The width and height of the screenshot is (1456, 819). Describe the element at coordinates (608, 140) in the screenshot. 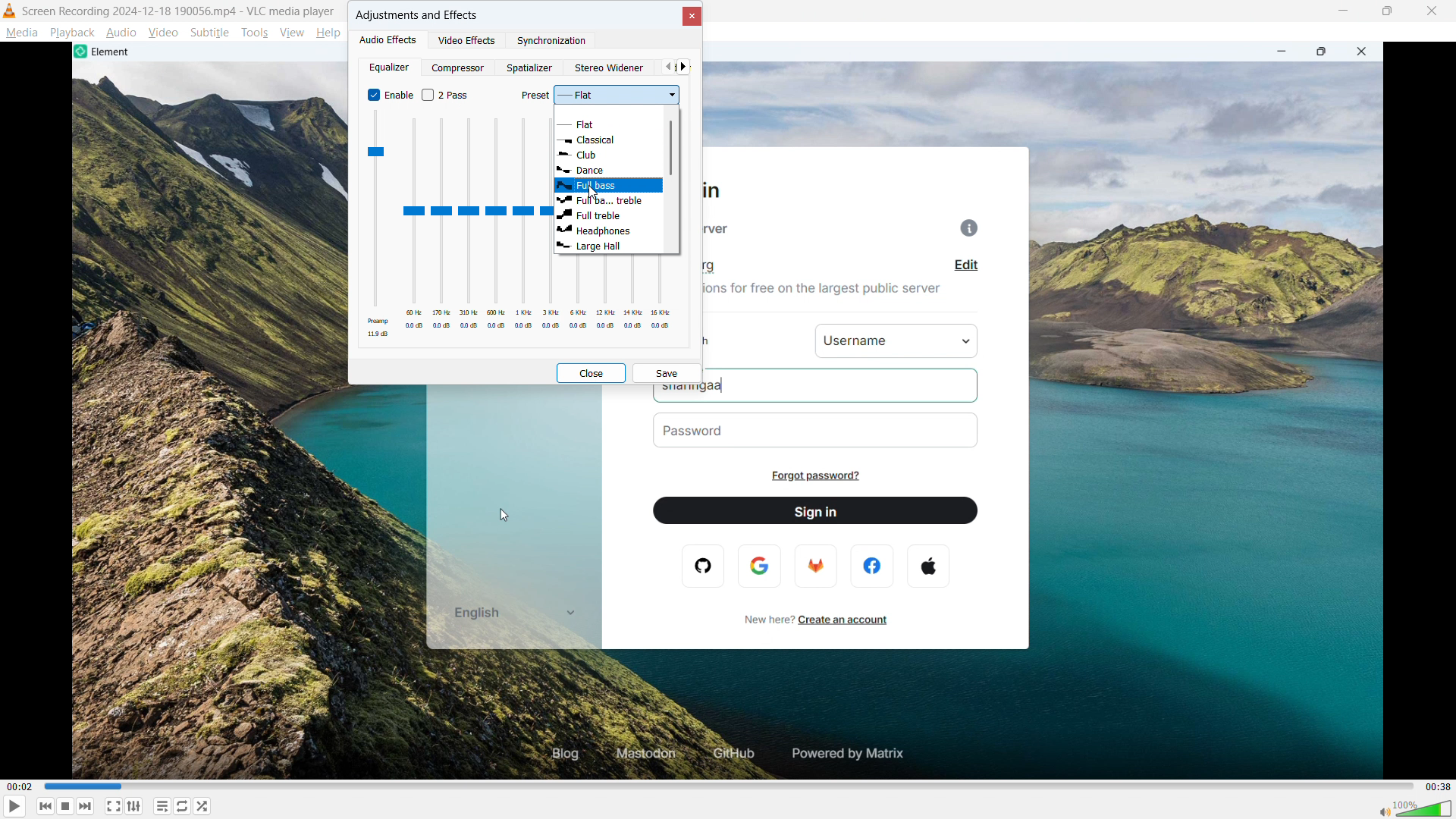

I see `Classical ` at that location.